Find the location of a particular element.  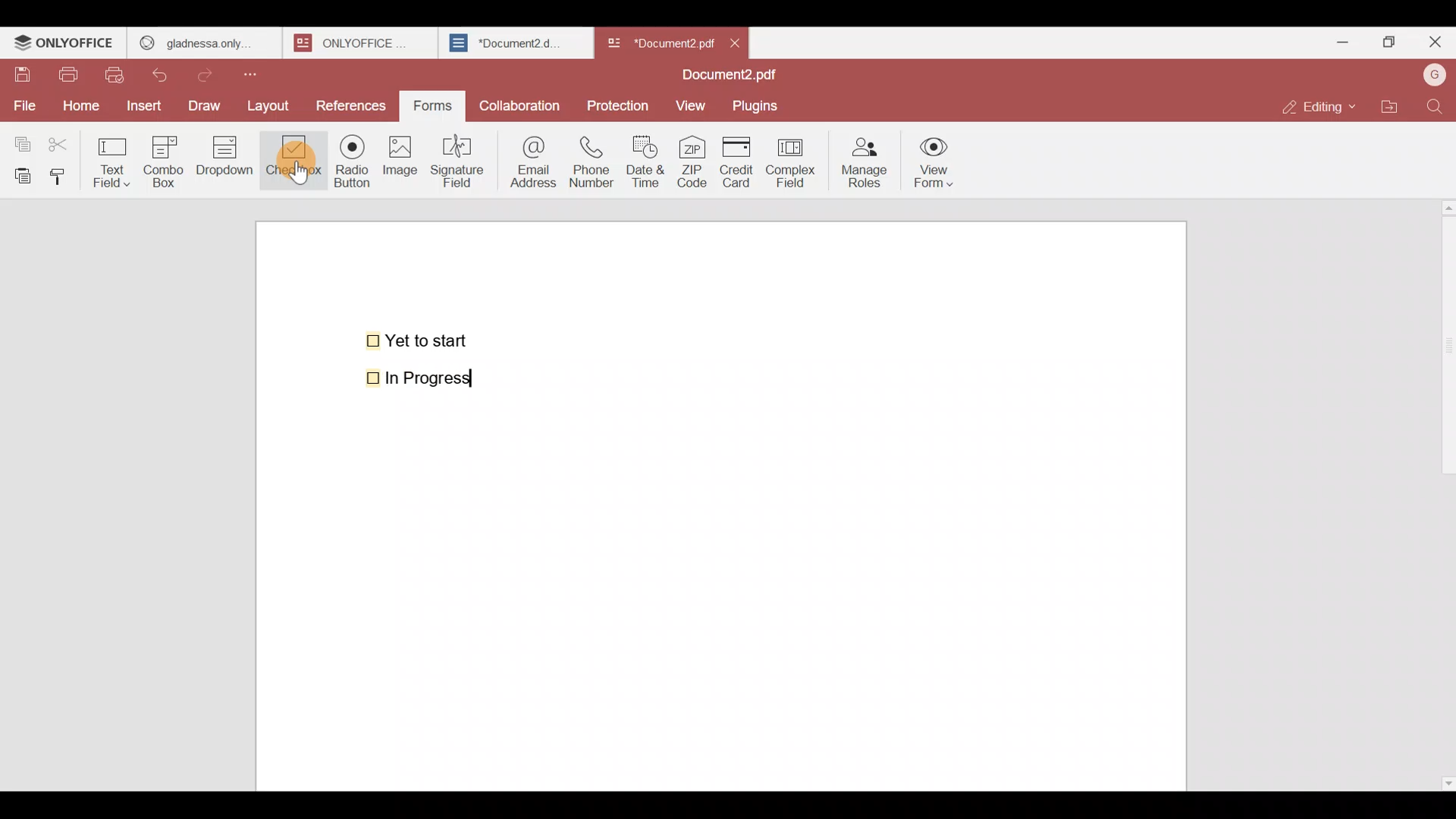

Copy is located at coordinates (20, 140).